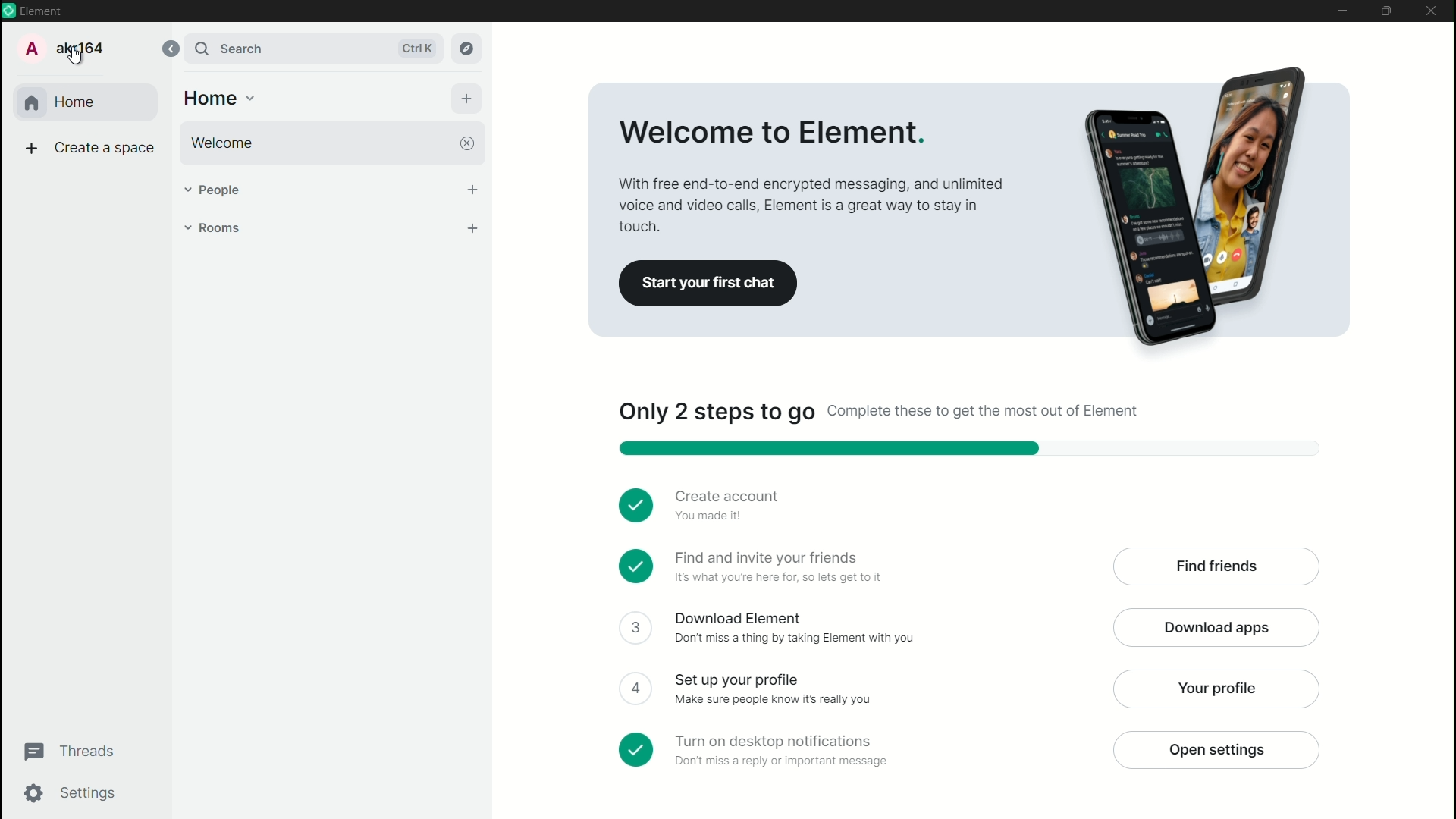 The width and height of the screenshot is (1456, 819). Describe the element at coordinates (87, 102) in the screenshot. I see `home tab` at that location.